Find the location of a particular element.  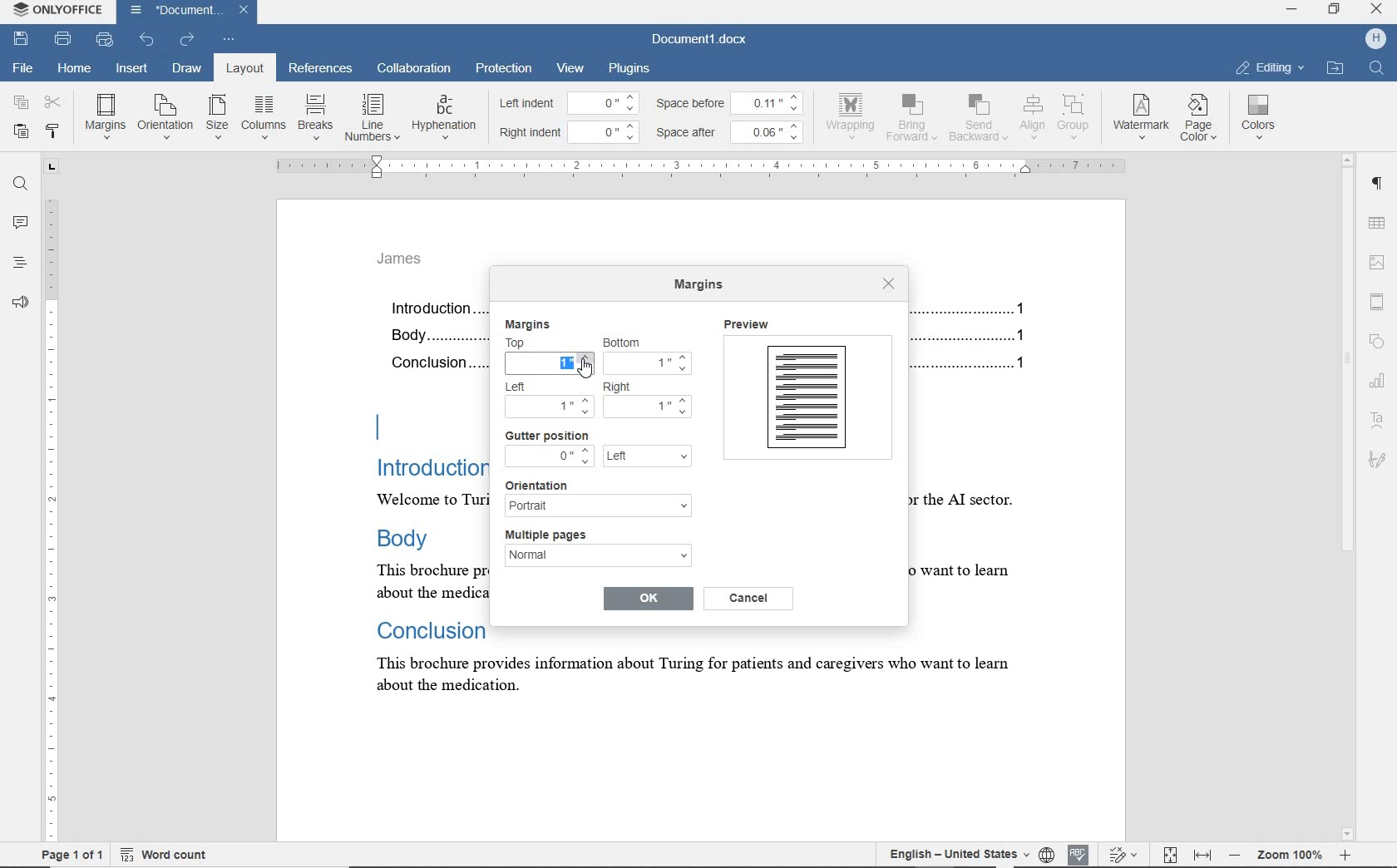

print is located at coordinates (63, 38).